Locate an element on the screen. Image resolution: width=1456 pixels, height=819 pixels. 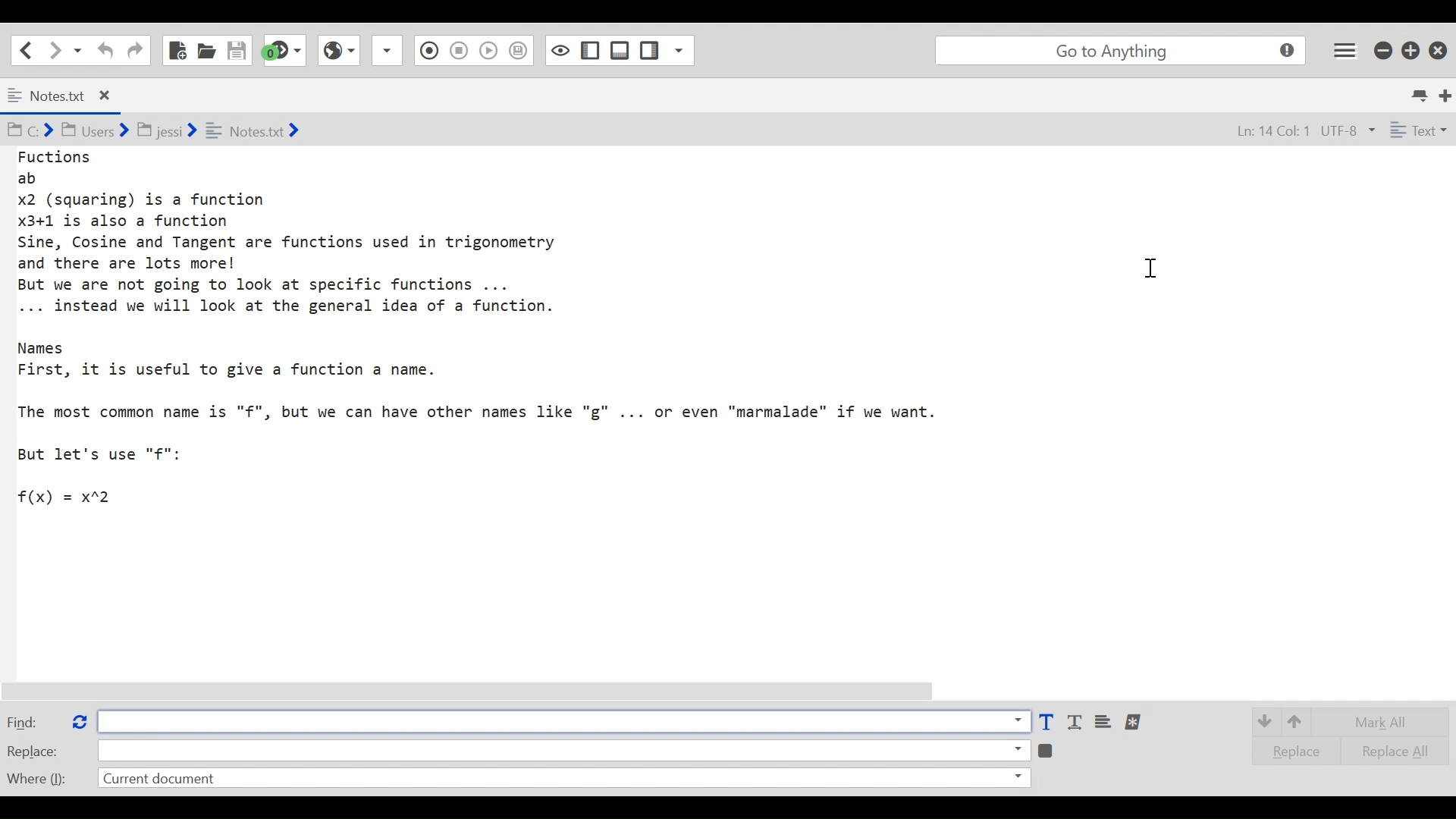
View in Browser is located at coordinates (458, 49).